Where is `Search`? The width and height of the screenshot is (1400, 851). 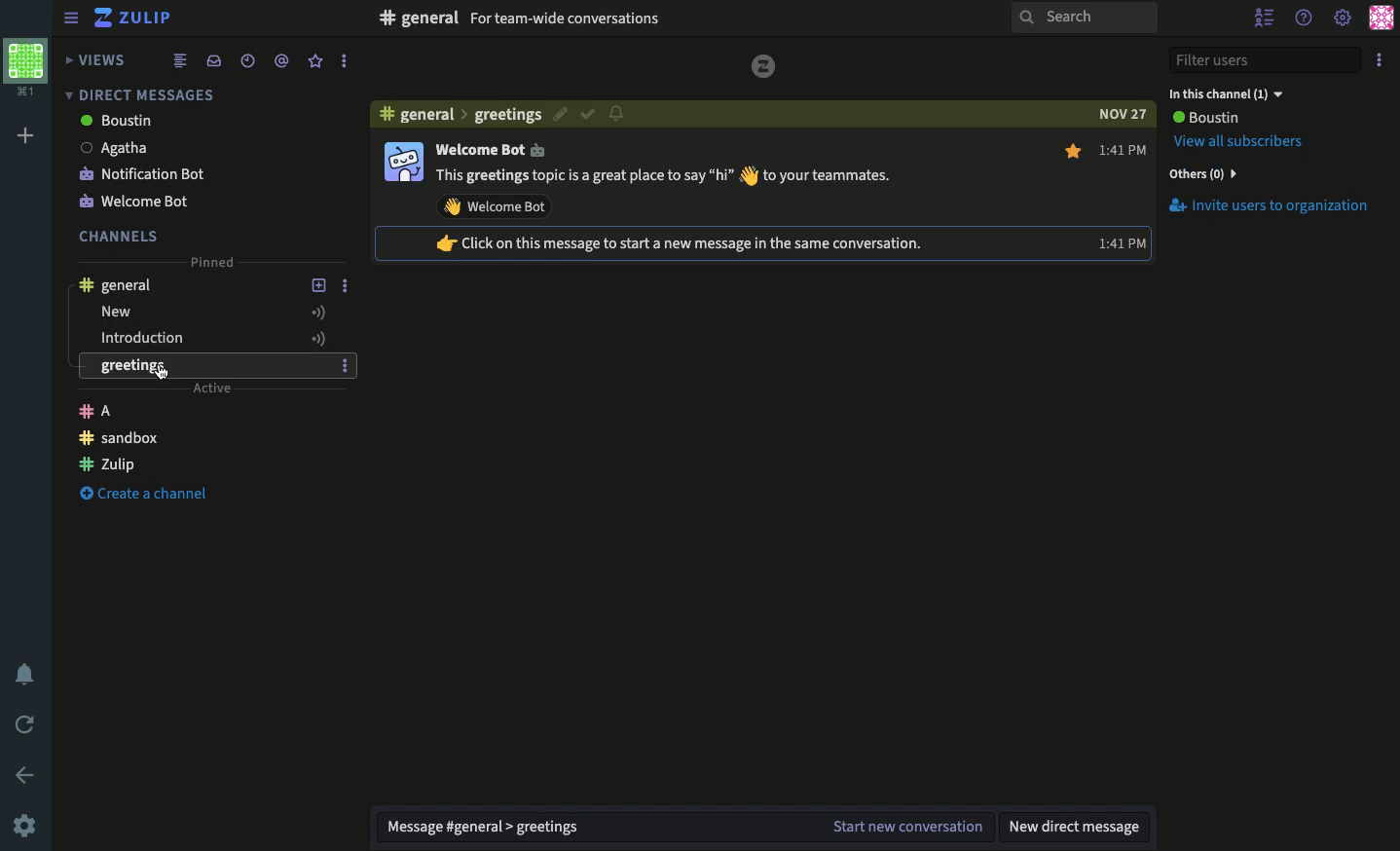
Search is located at coordinates (1083, 18).